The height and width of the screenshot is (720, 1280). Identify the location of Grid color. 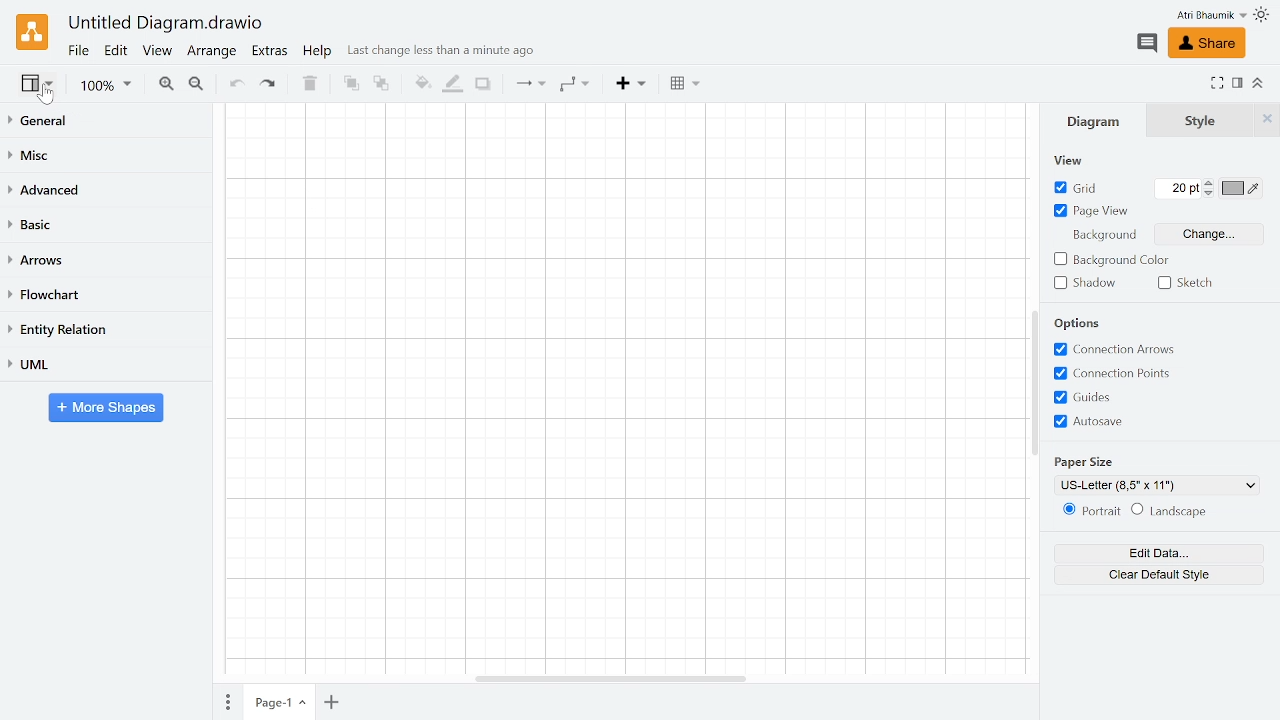
(1241, 189).